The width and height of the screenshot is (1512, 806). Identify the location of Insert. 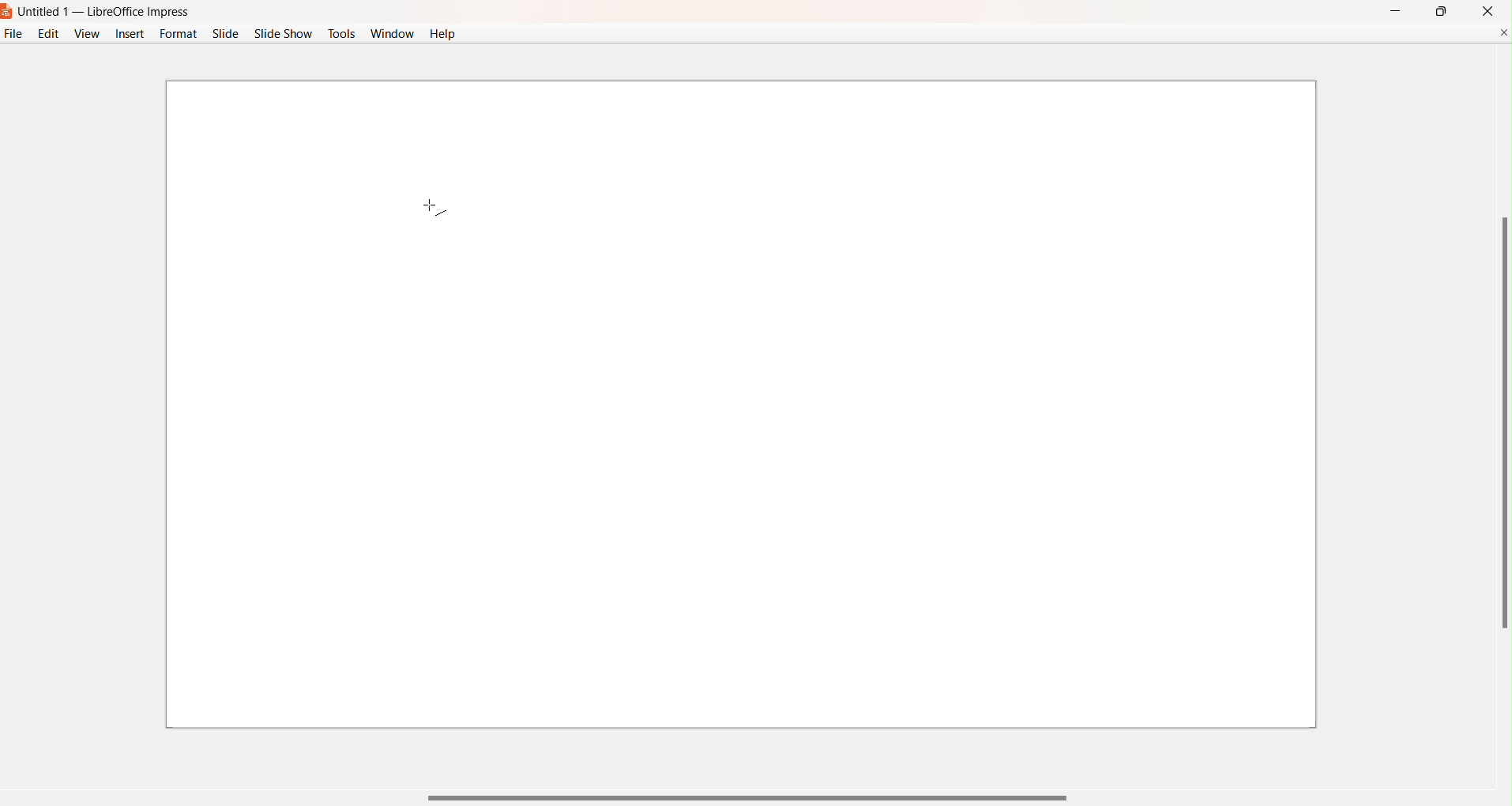
(127, 36).